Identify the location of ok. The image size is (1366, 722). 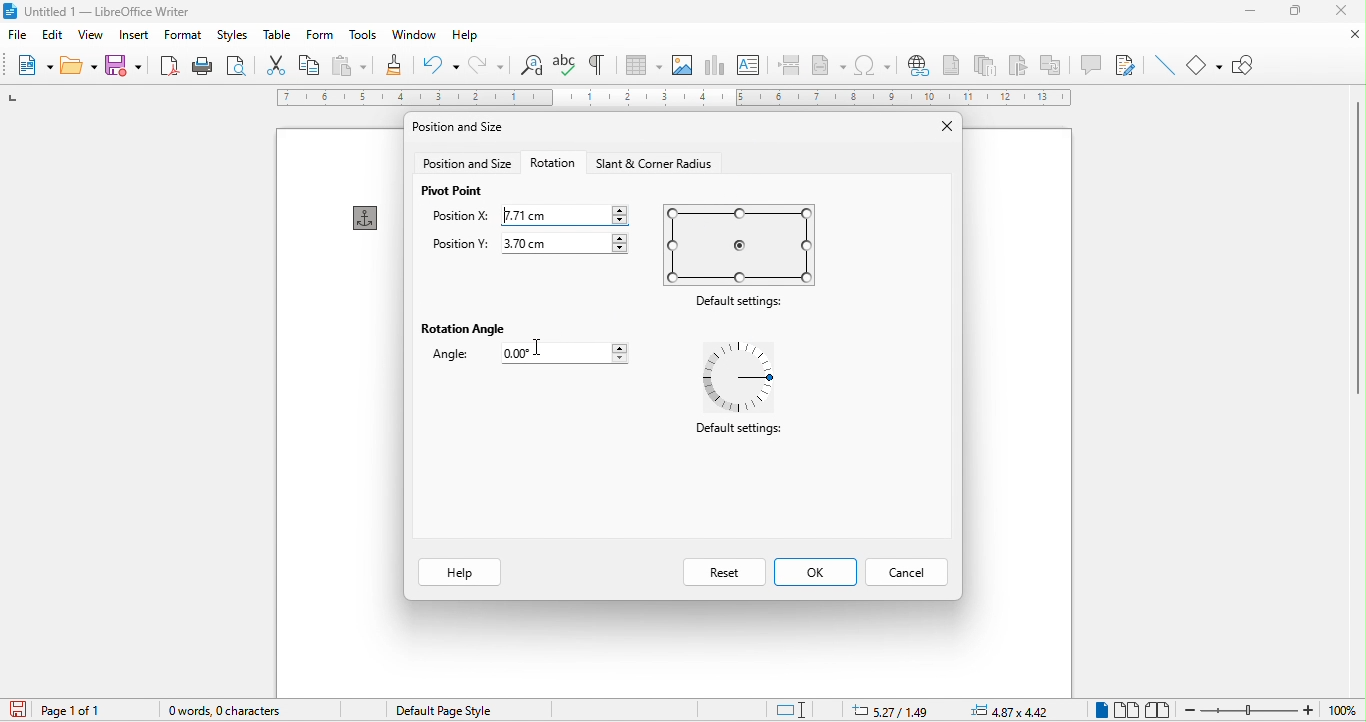
(813, 574).